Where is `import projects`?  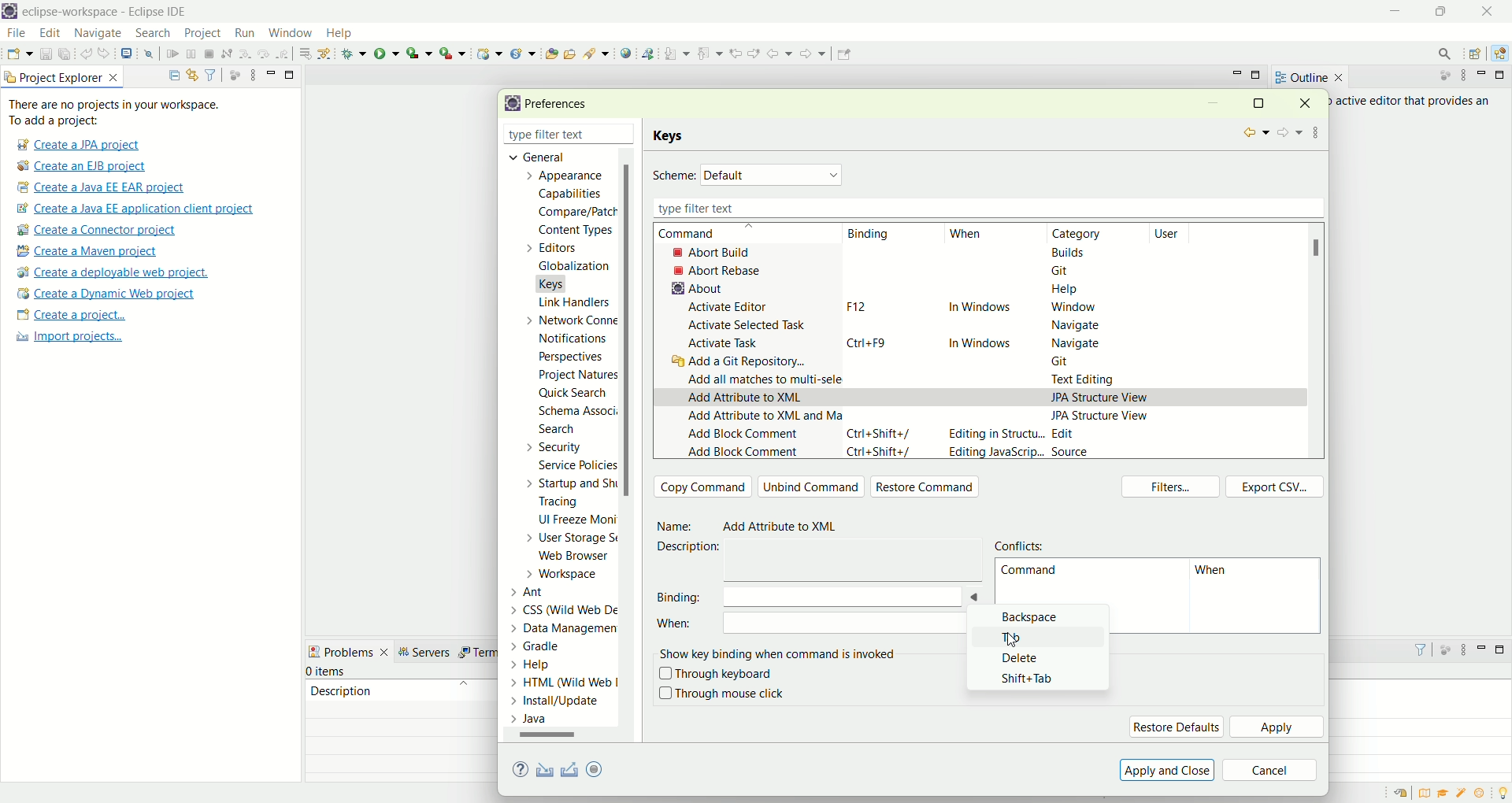
import projects is located at coordinates (67, 337).